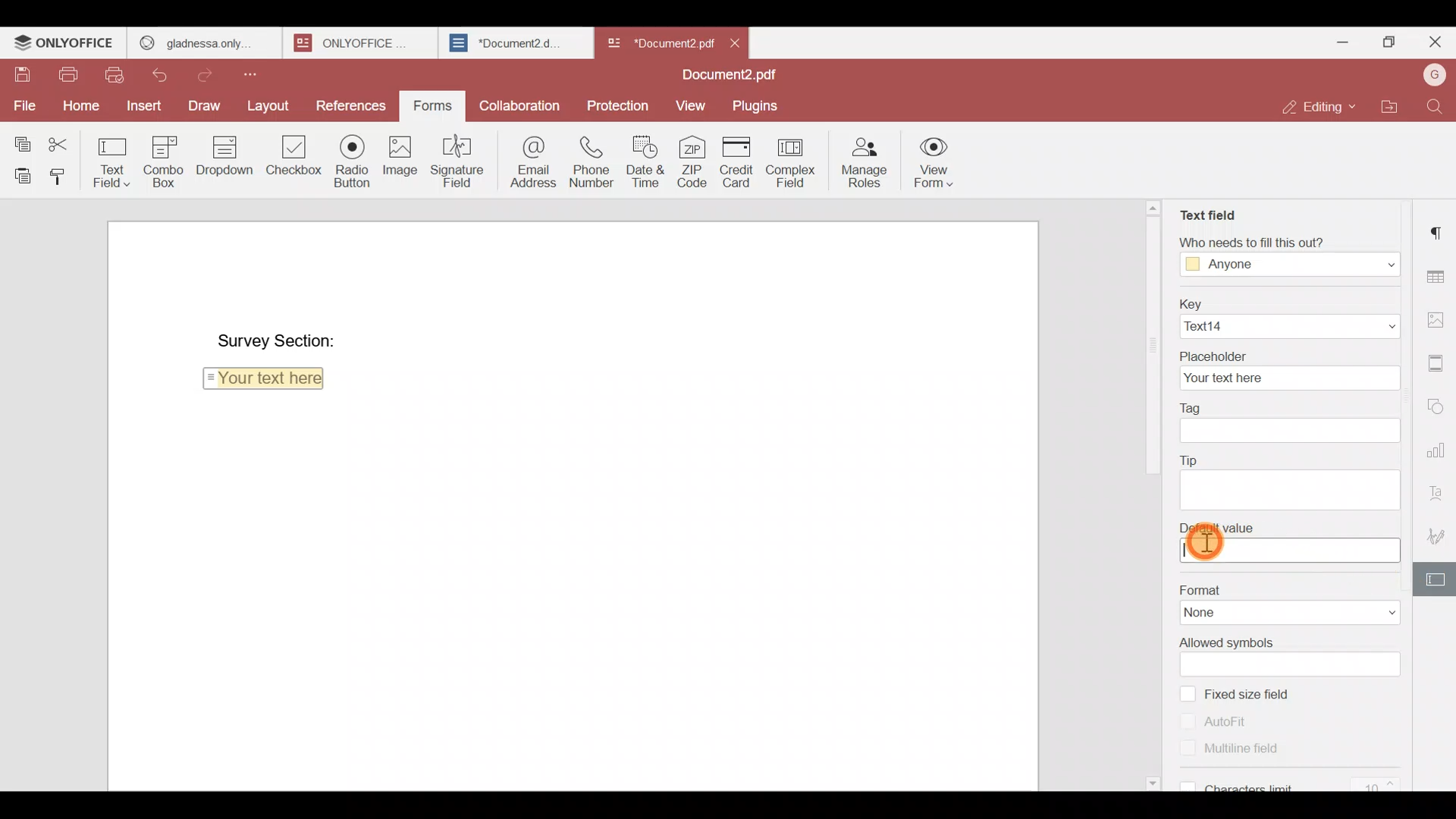  Describe the element at coordinates (1250, 754) in the screenshot. I see `Multiline field` at that location.